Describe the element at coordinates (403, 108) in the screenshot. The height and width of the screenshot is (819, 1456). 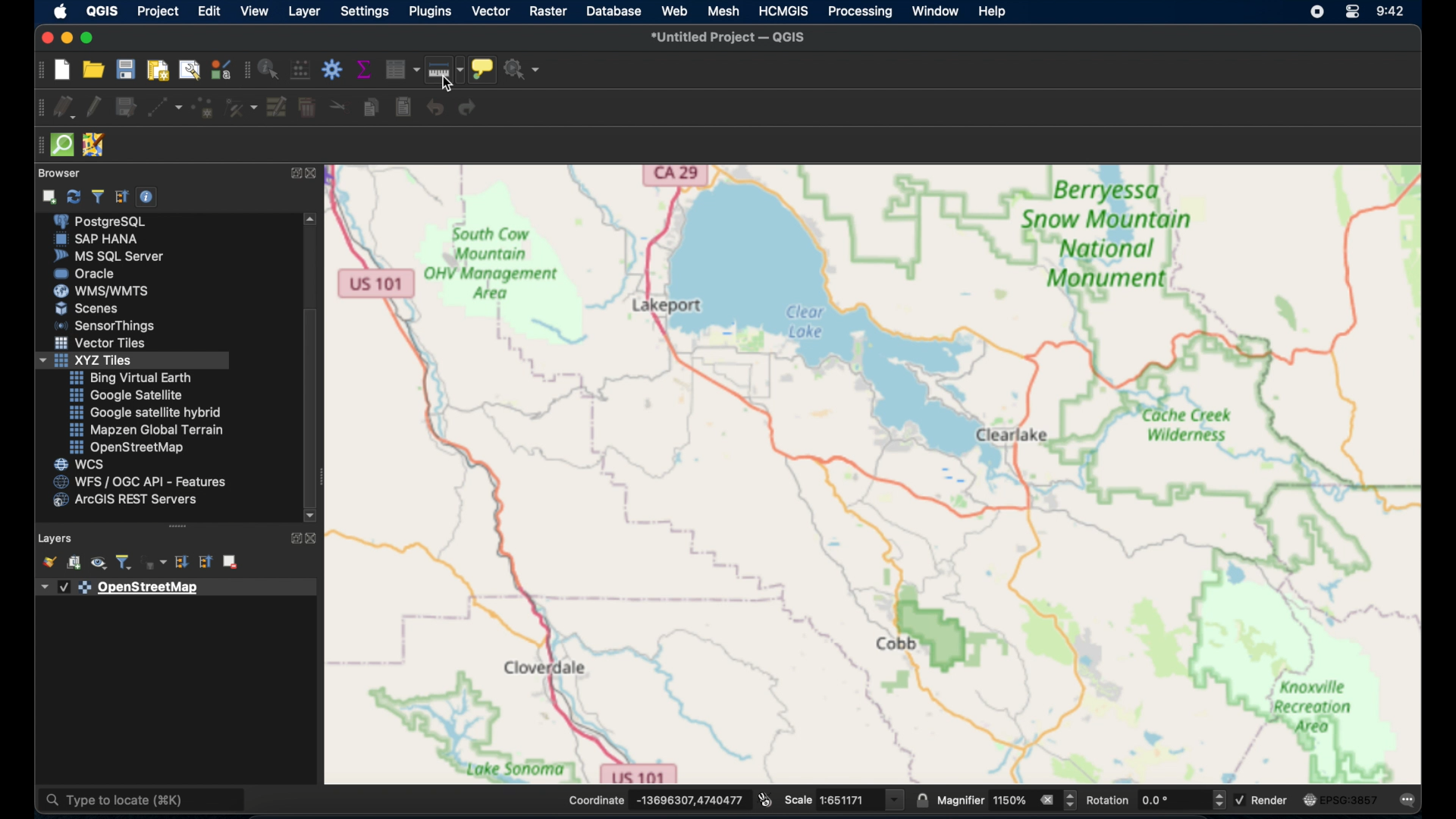
I see `paste features` at that location.